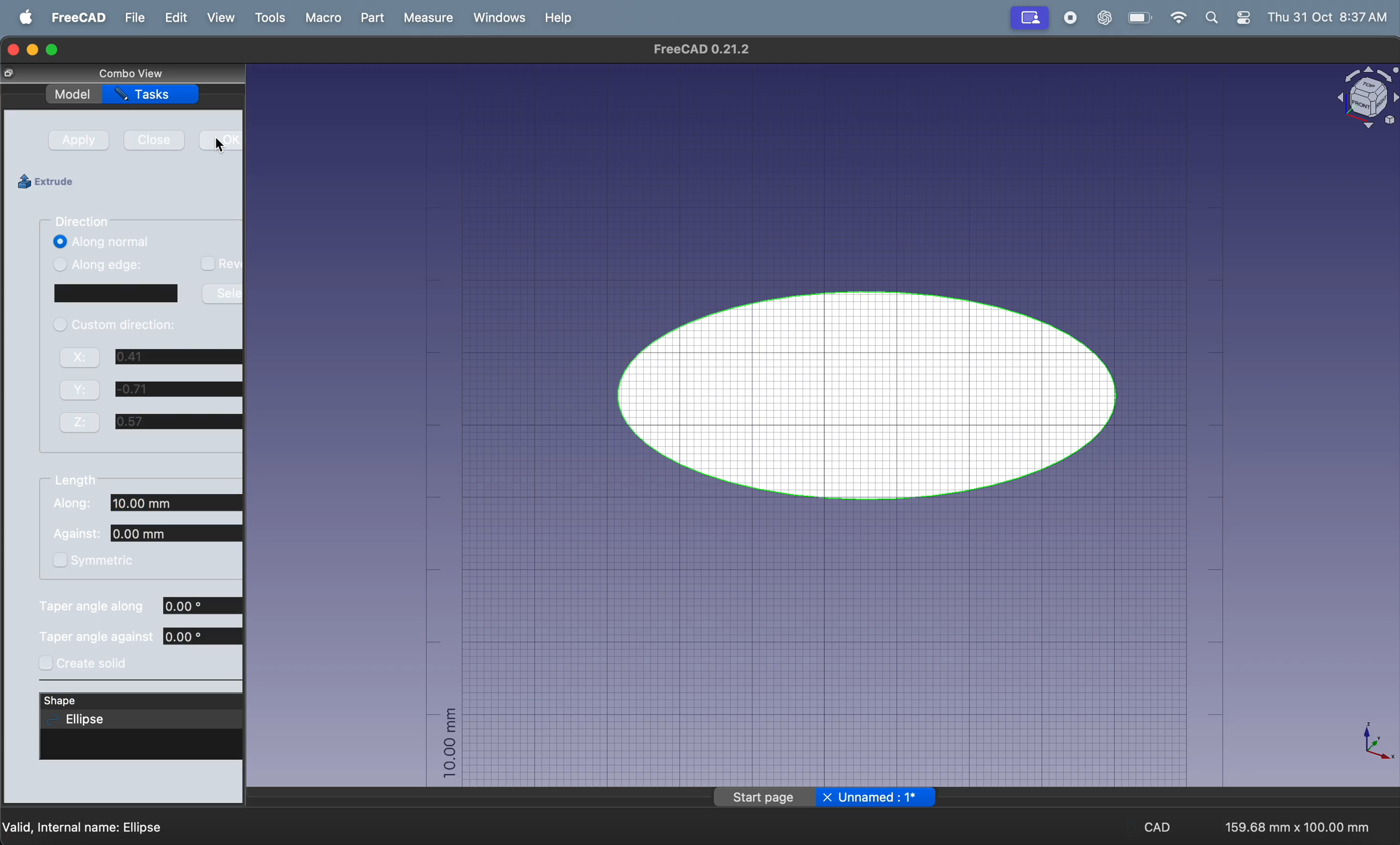 The width and height of the screenshot is (1400, 845). What do you see at coordinates (1294, 823) in the screenshot?
I see `159.68mm * 100.mm` at bounding box center [1294, 823].